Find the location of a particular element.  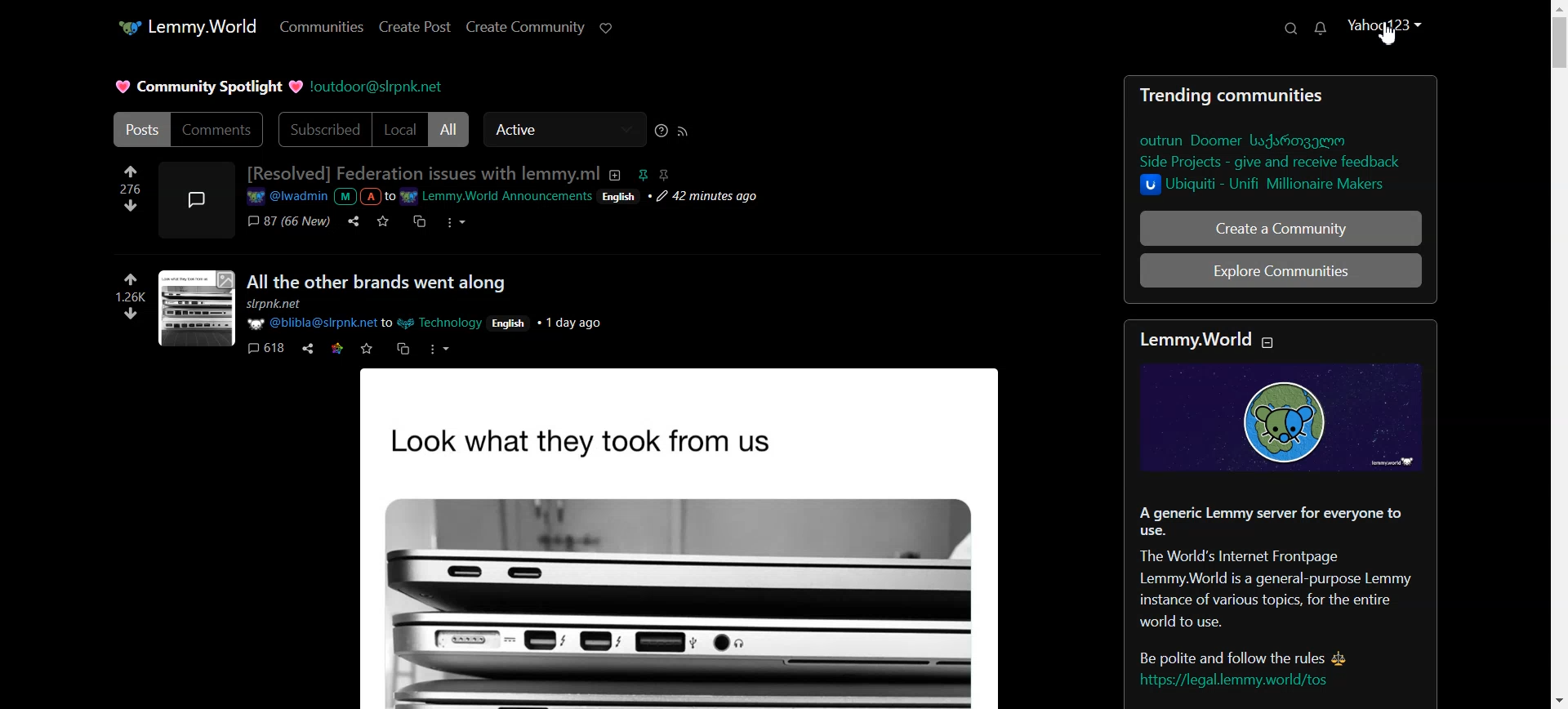

Collapse is located at coordinates (1267, 342).